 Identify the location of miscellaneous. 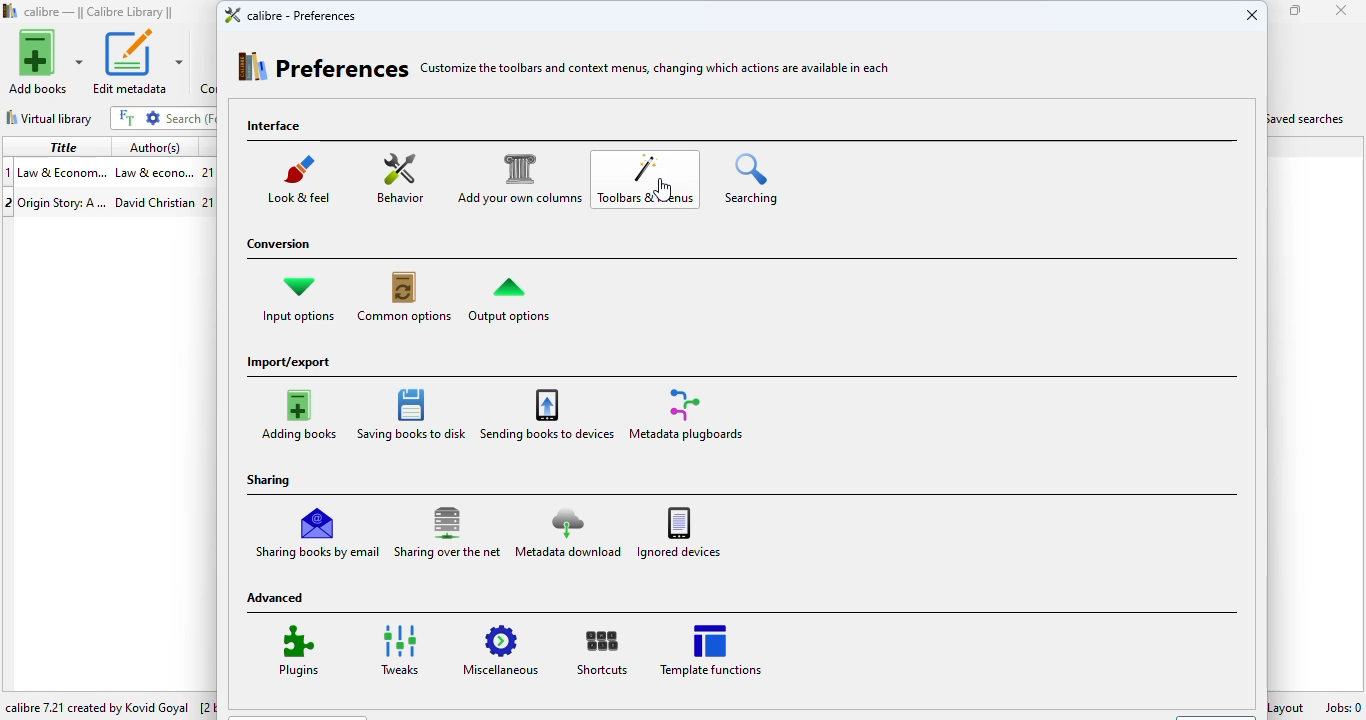
(502, 649).